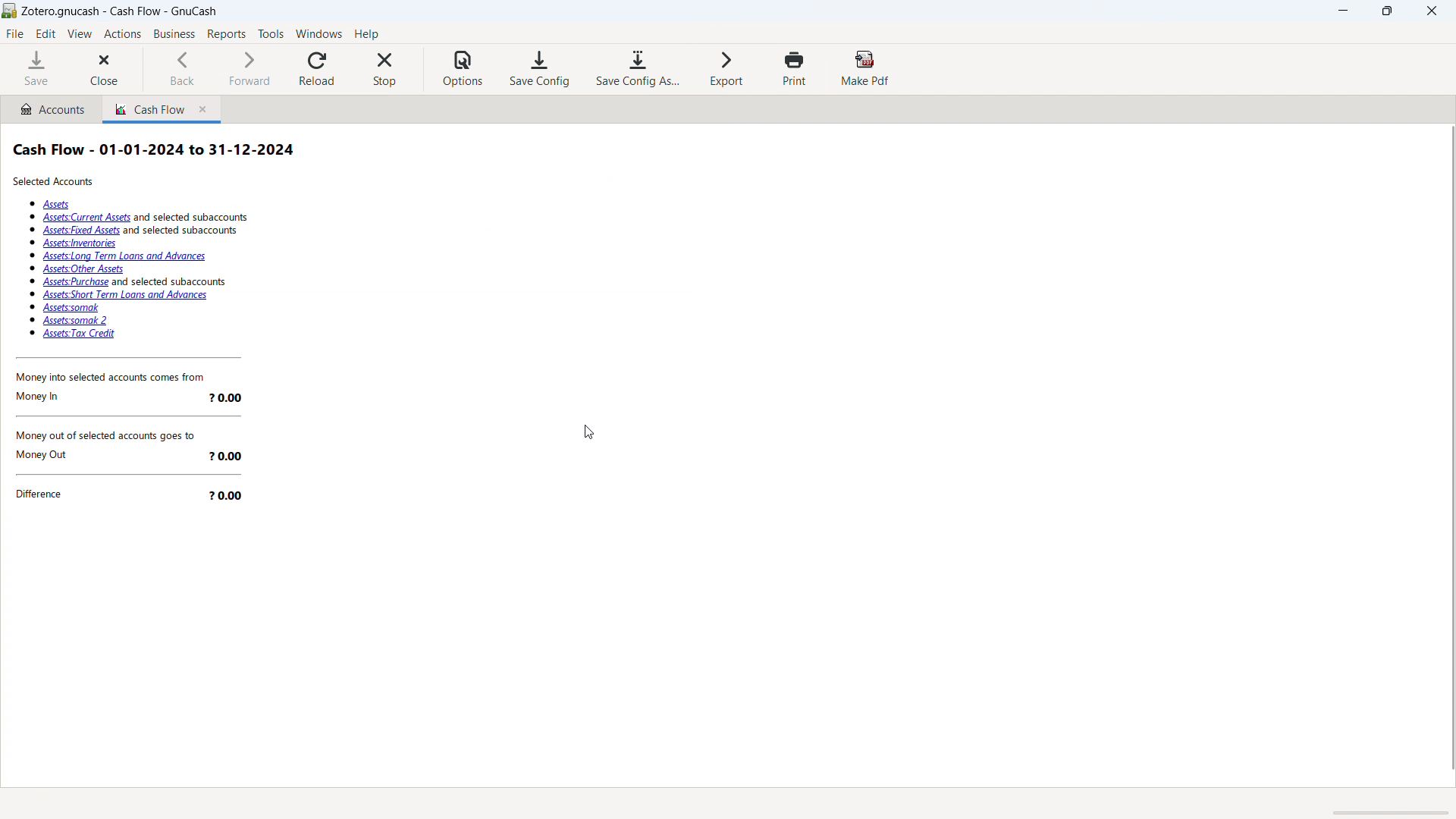 The image size is (1456, 819). I want to click on Difference 20.00, so click(136, 497).